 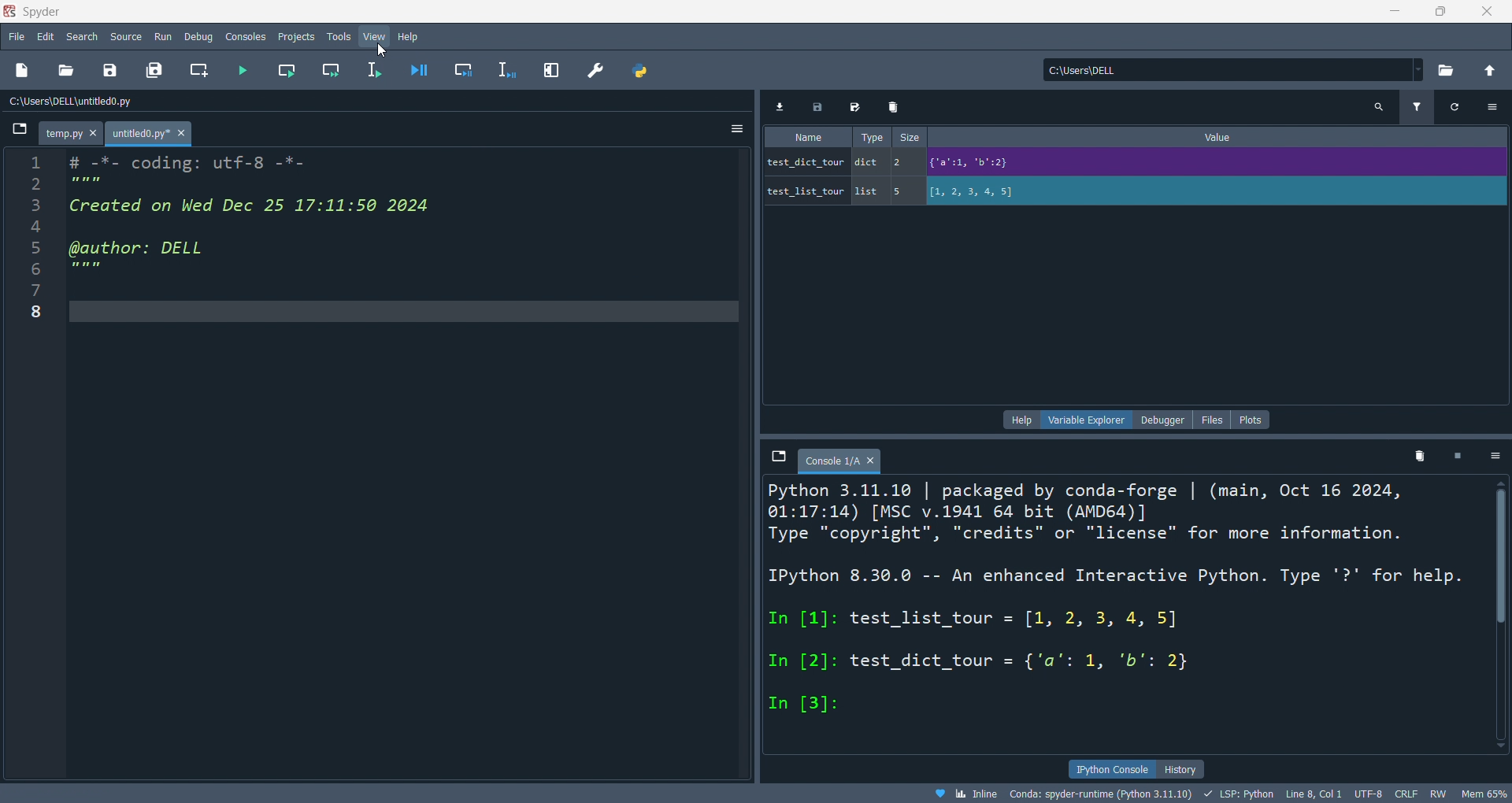 I want to click on type, so click(x=872, y=165).